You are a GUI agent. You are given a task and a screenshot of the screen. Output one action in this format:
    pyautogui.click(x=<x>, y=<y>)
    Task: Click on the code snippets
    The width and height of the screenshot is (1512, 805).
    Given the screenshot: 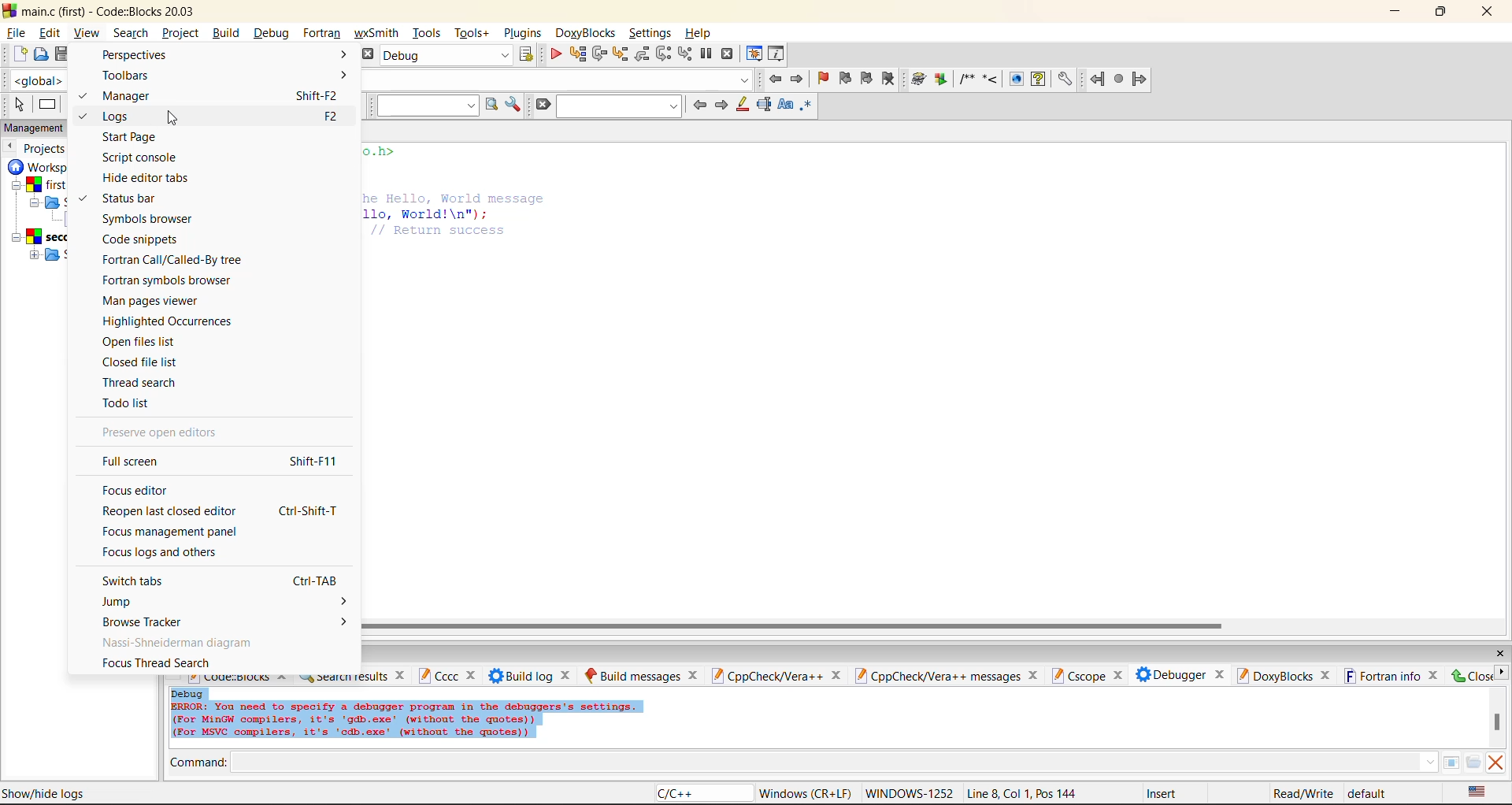 What is the action you would take?
    pyautogui.click(x=143, y=239)
    